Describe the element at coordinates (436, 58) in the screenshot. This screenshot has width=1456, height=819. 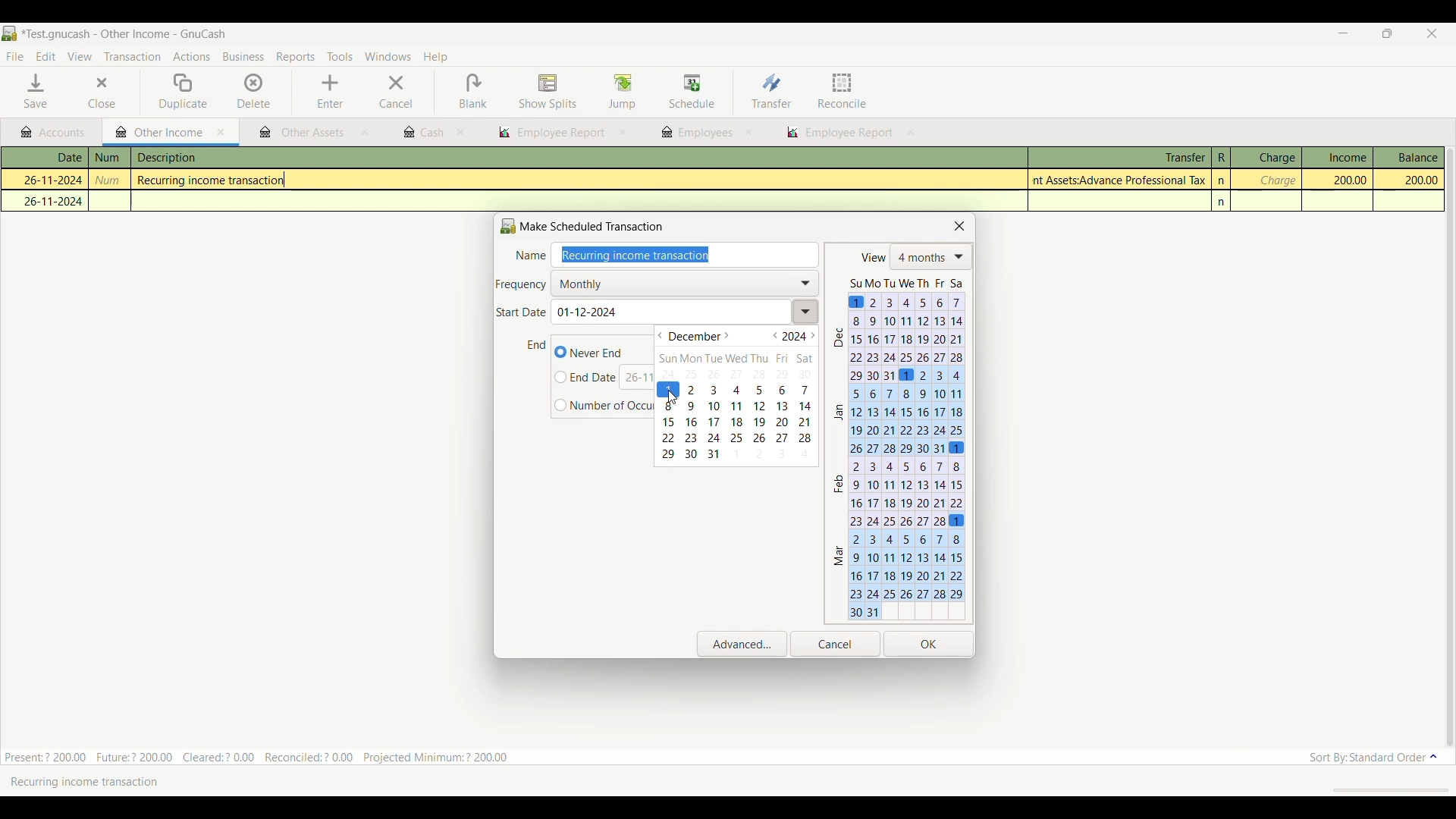
I see `Help menu` at that location.